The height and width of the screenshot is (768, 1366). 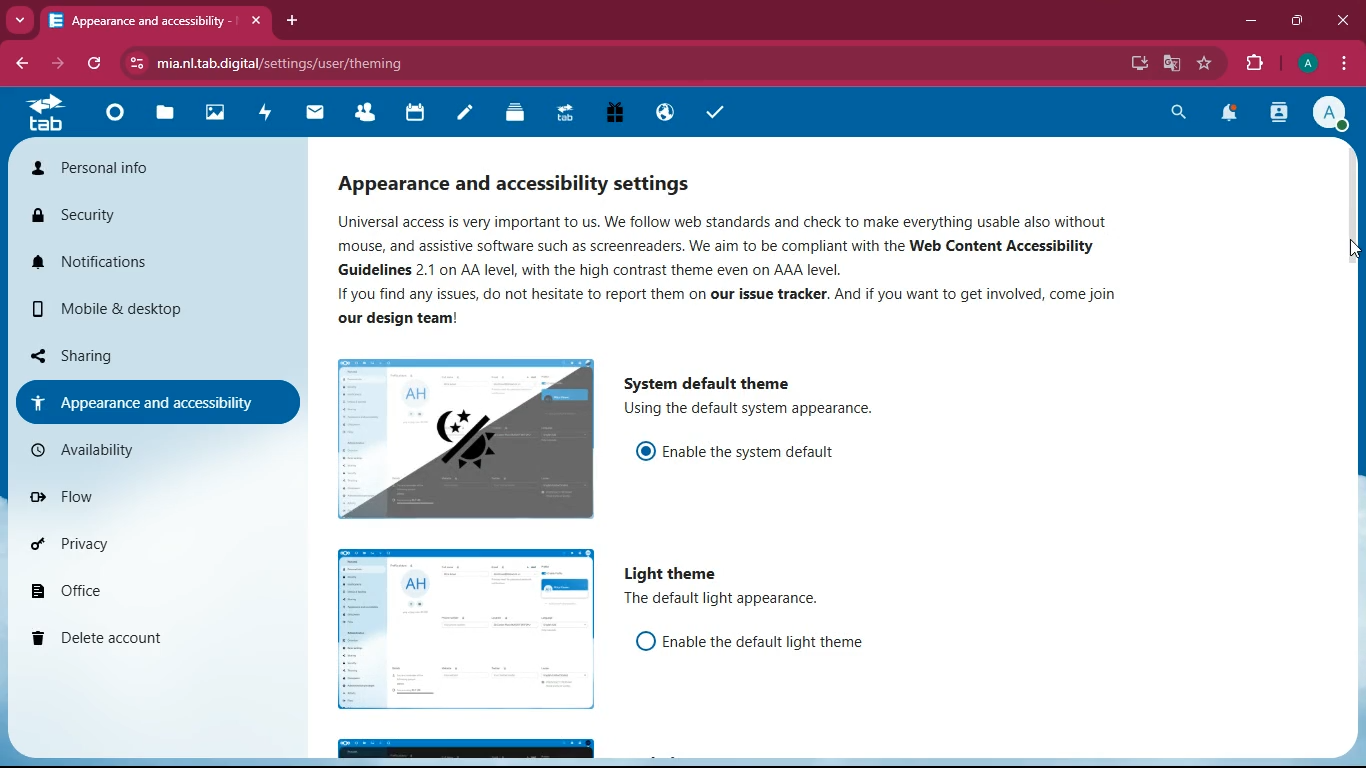 What do you see at coordinates (645, 451) in the screenshot?
I see `on` at bounding box center [645, 451].